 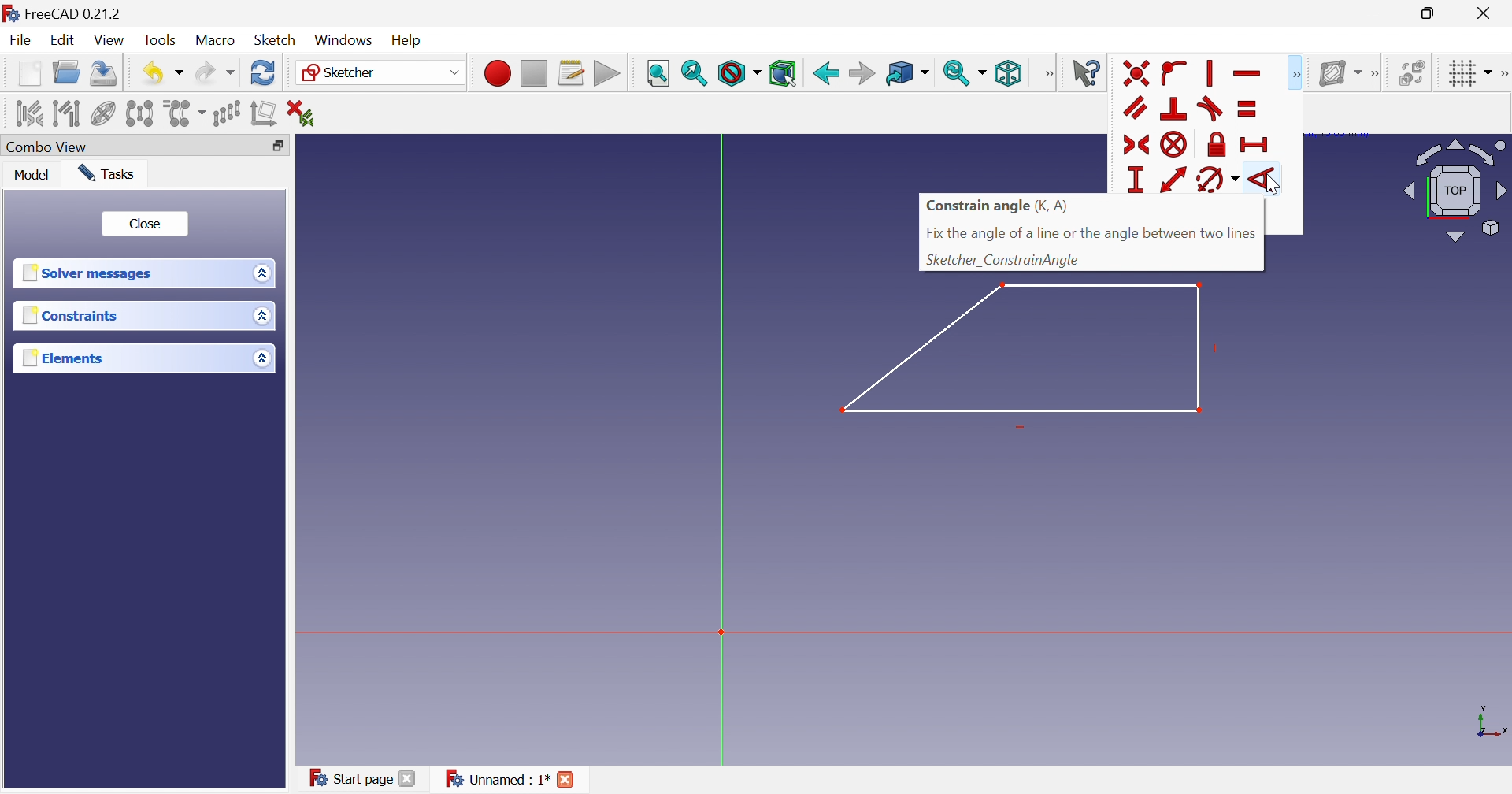 What do you see at coordinates (784, 72) in the screenshot?
I see `Bounding box` at bounding box center [784, 72].